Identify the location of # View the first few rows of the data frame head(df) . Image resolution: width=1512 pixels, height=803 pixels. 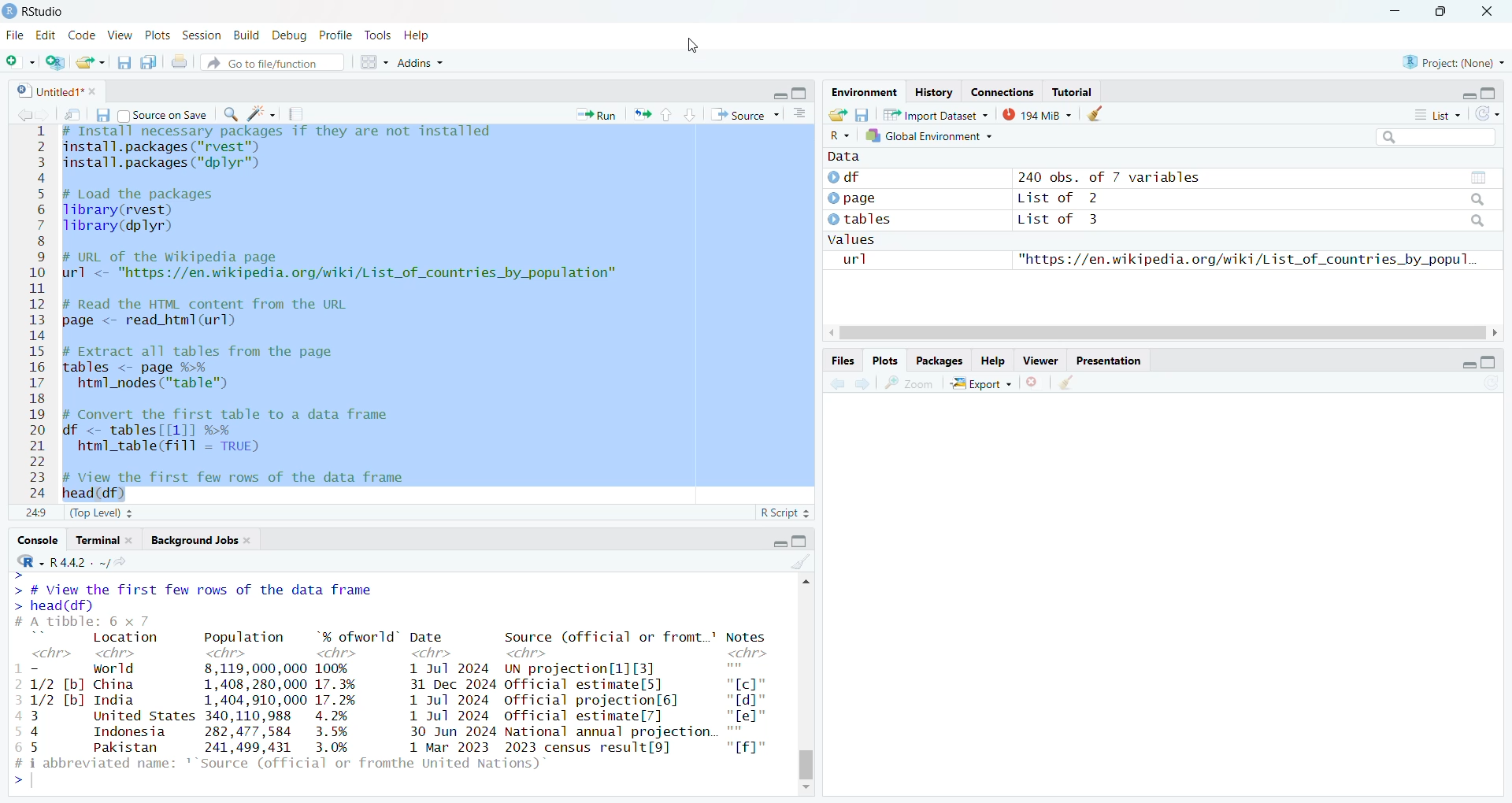
(255, 485).